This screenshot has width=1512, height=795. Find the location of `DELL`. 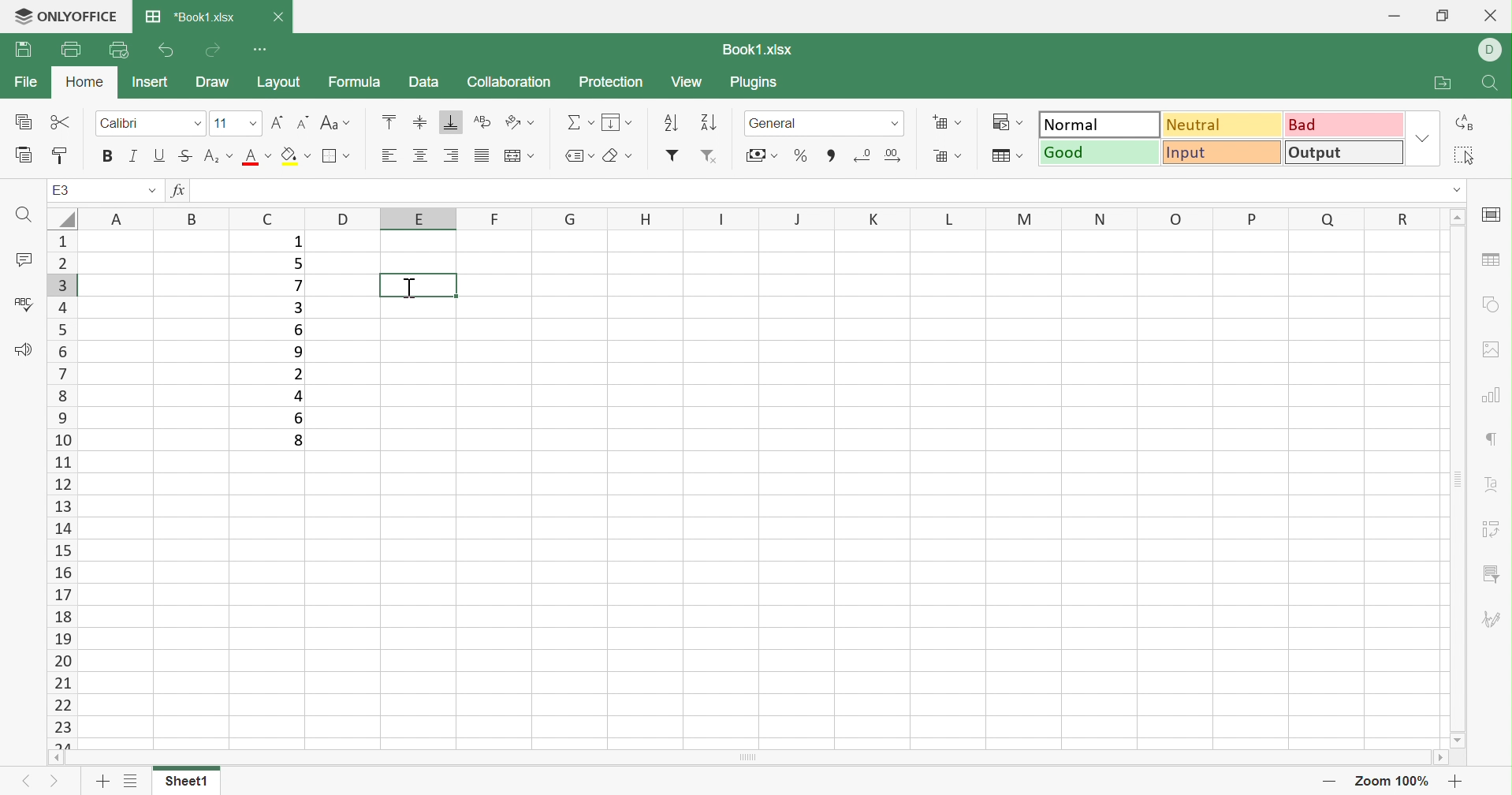

DELL is located at coordinates (1491, 49).